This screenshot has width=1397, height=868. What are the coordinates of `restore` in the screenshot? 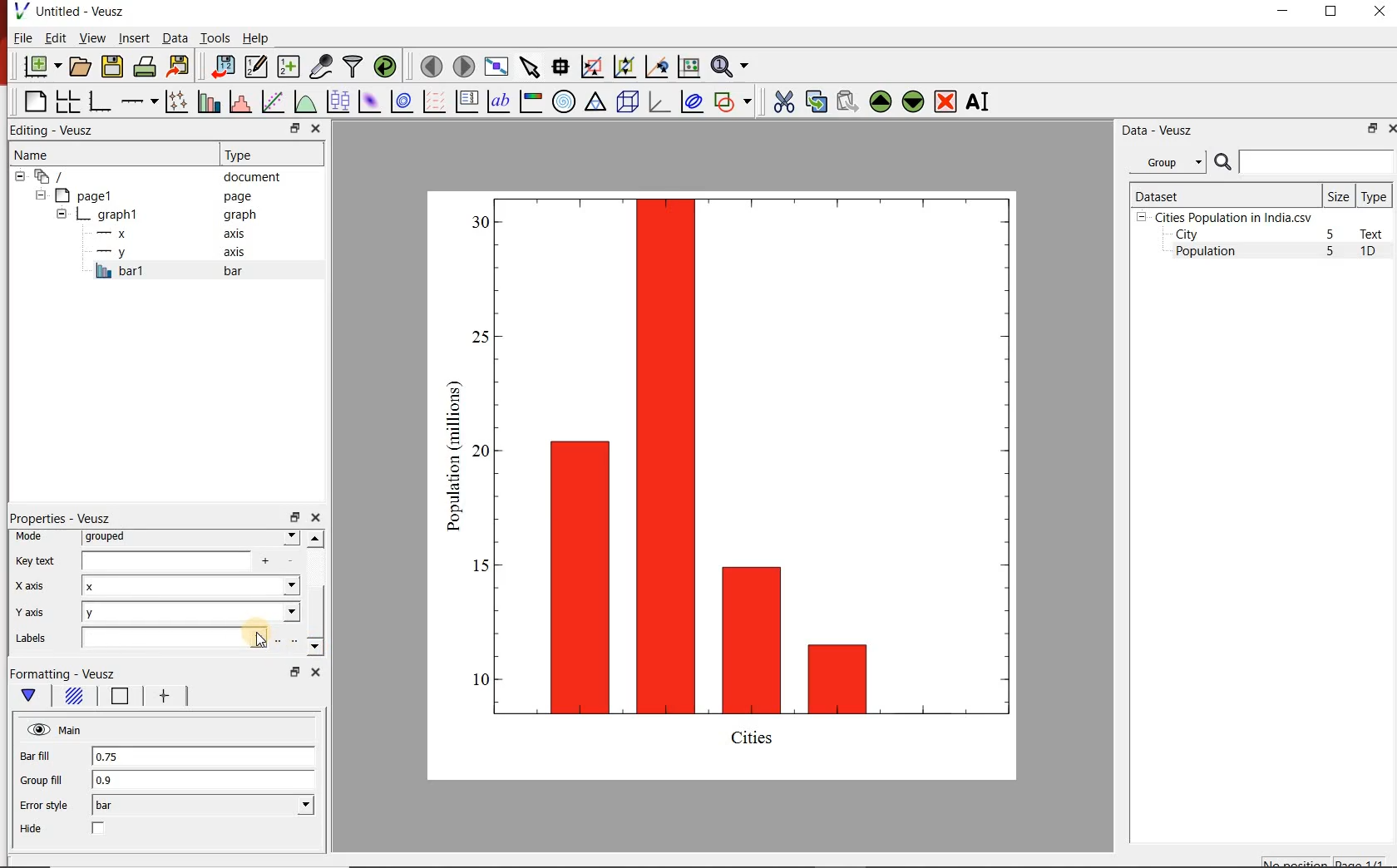 It's located at (294, 672).